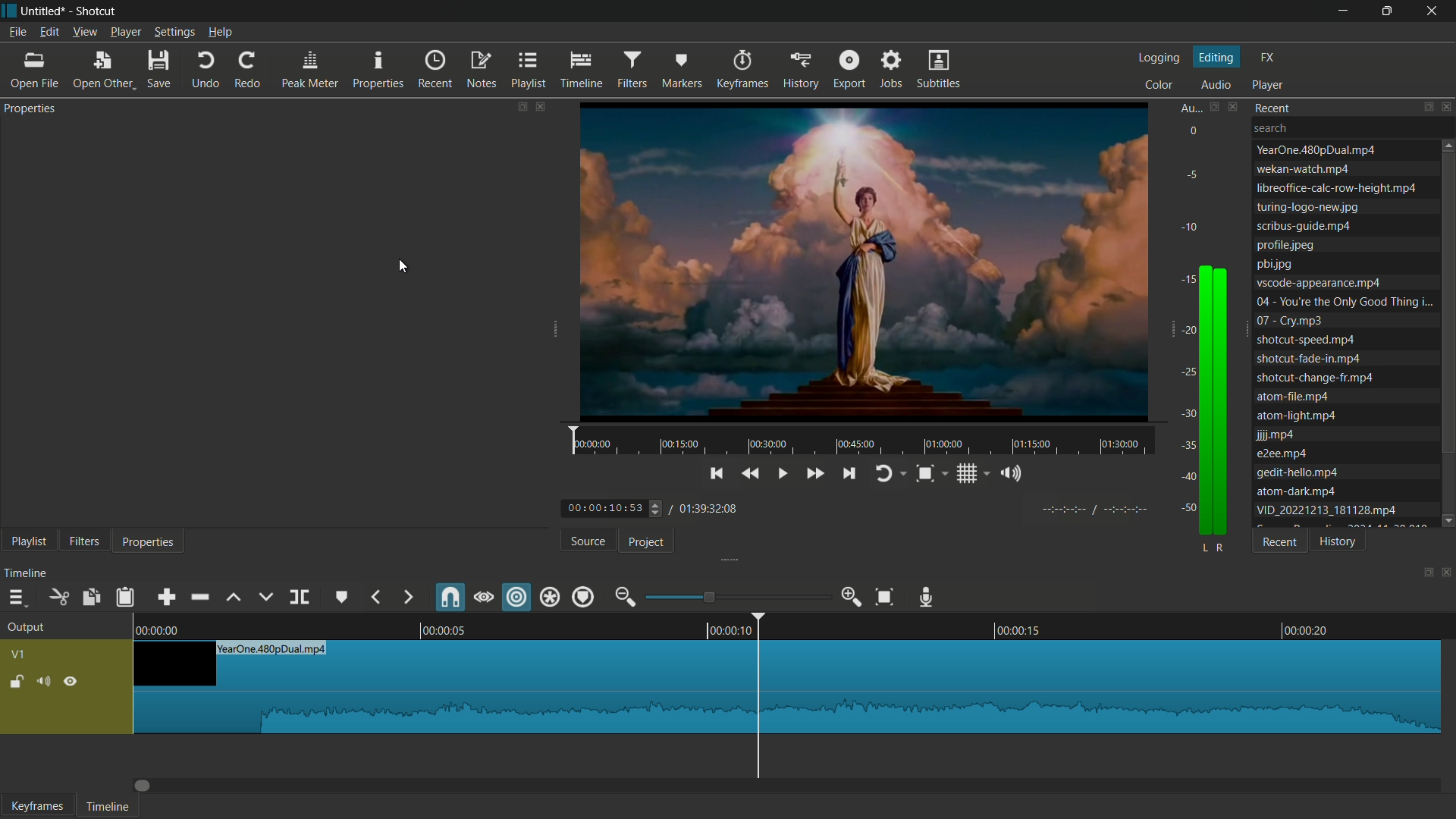  Describe the element at coordinates (481, 71) in the screenshot. I see `notes` at that location.